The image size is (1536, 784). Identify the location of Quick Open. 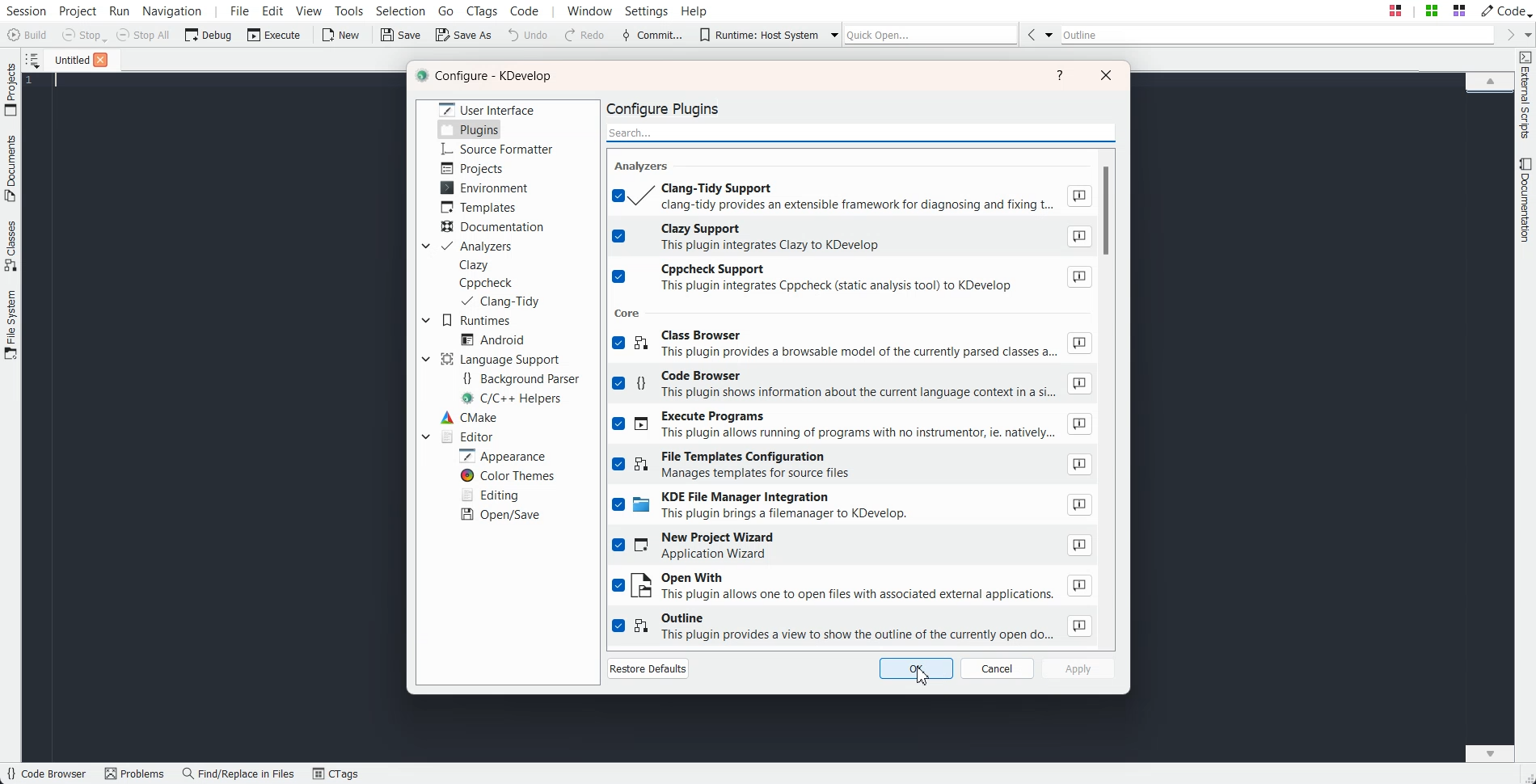
(931, 34).